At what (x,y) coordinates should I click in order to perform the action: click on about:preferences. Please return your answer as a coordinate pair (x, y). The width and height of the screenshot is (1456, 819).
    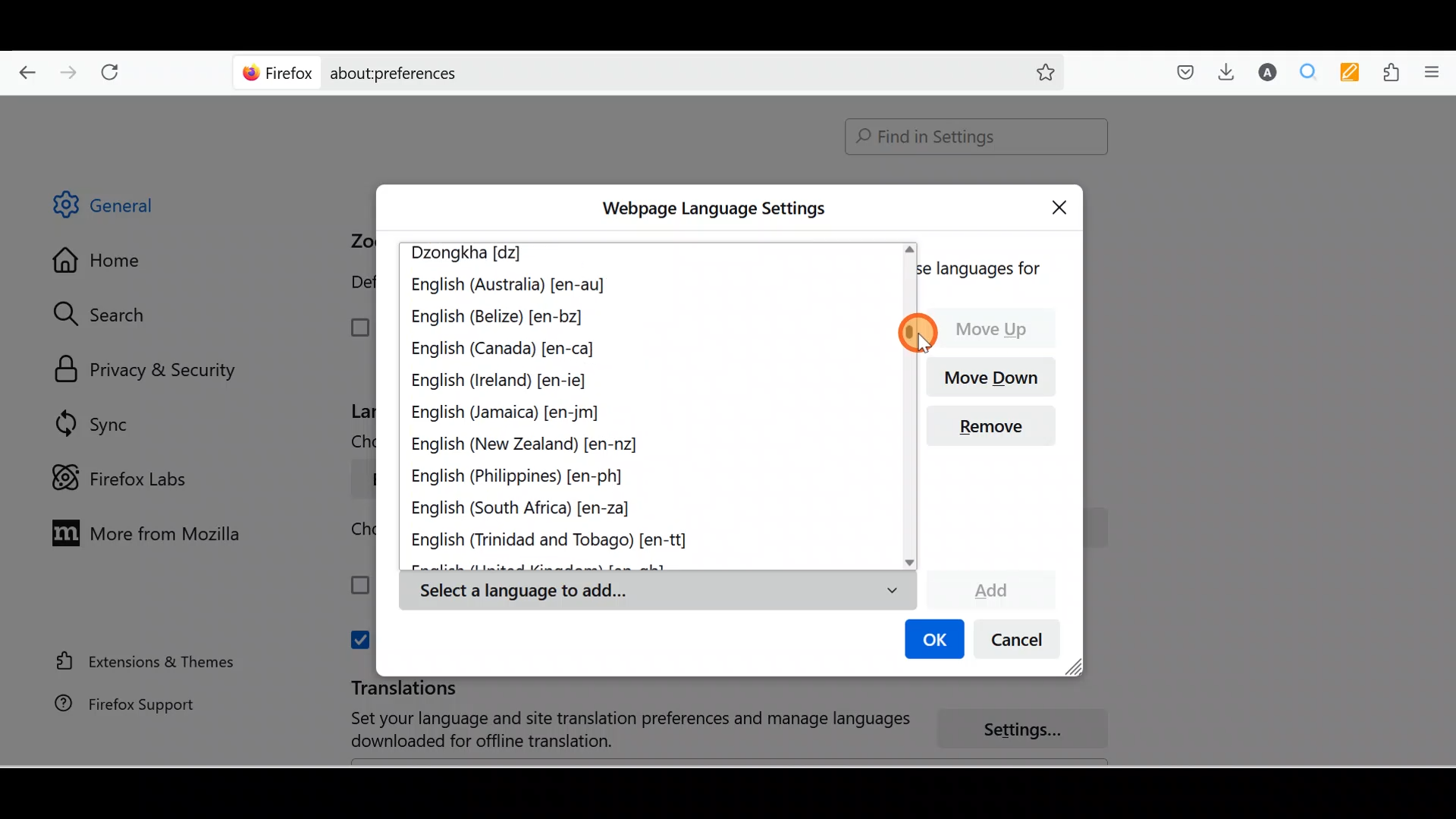
    Looking at the image, I should click on (605, 71).